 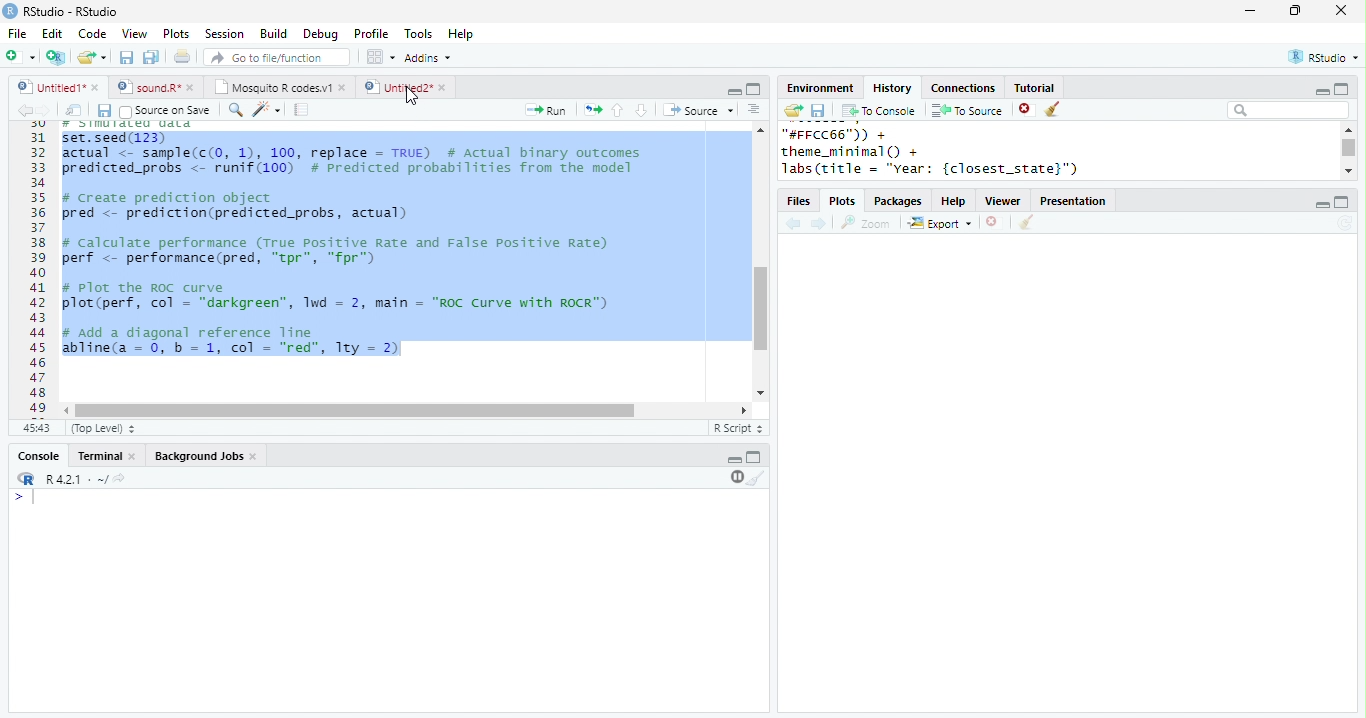 I want to click on To console, so click(x=879, y=111).